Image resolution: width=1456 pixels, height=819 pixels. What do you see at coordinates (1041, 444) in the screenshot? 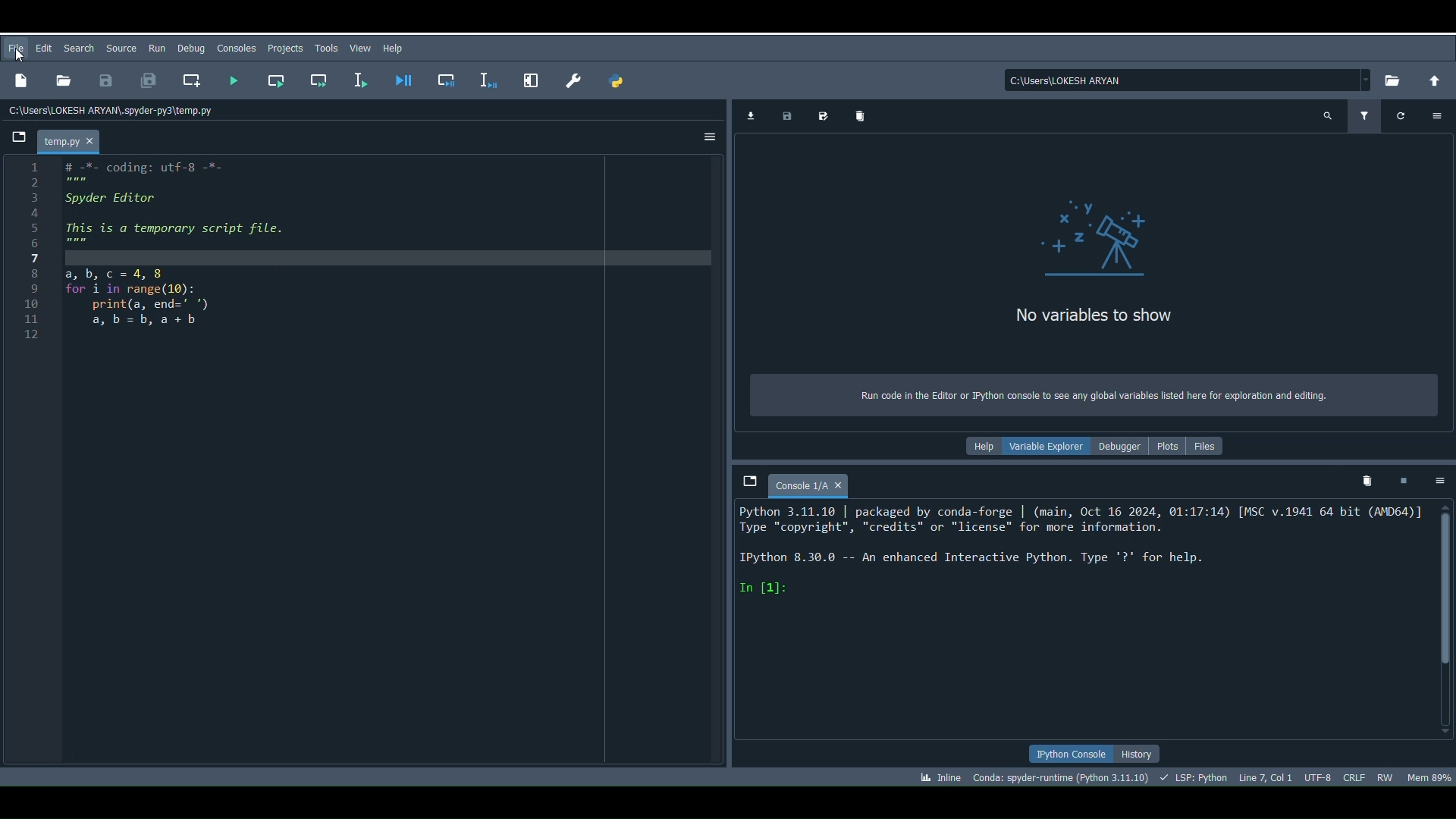
I see `Variable explorer` at bounding box center [1041, 444].